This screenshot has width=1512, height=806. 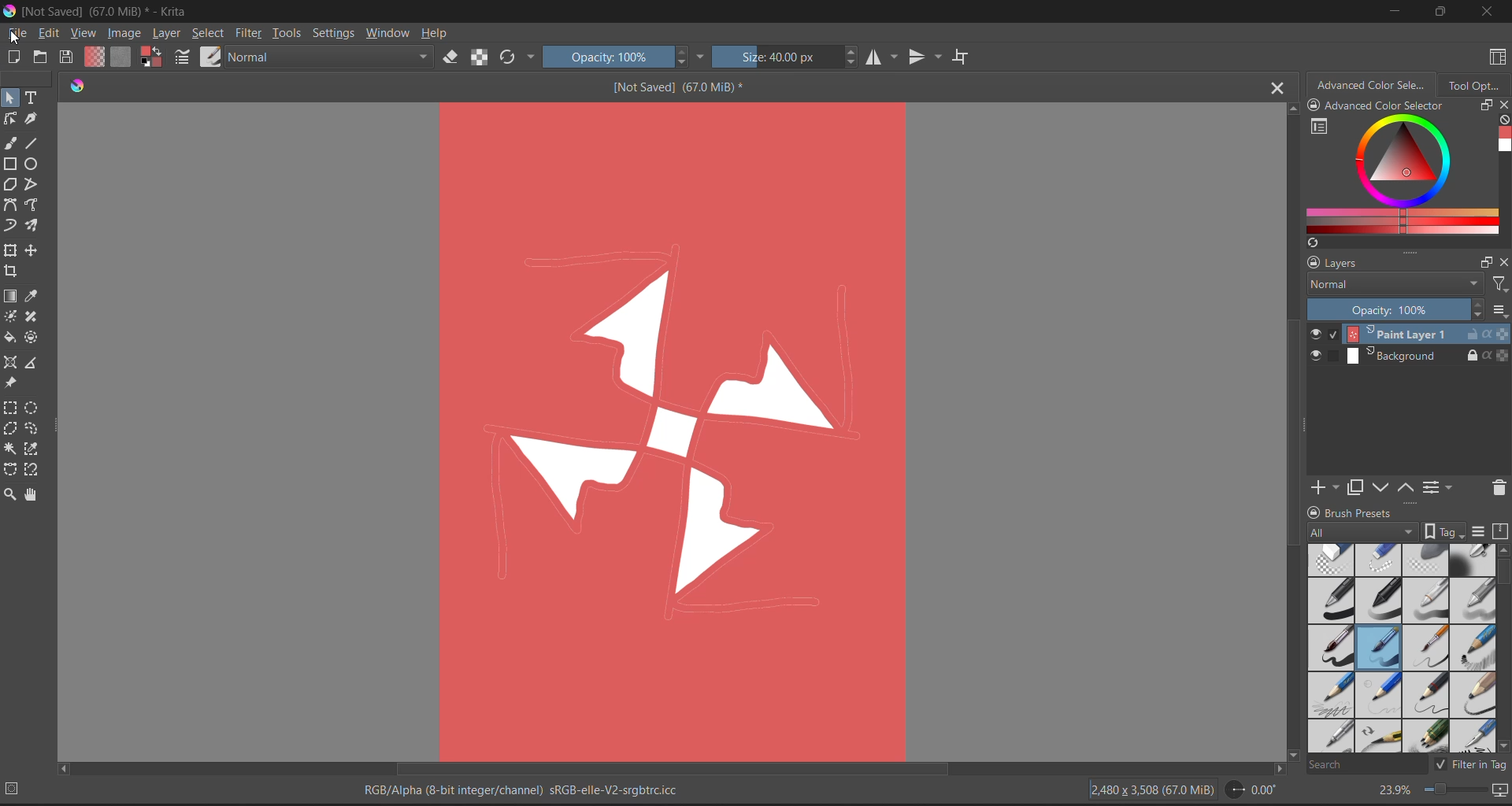 I want to click on tool options, so click(x=1476, y=88).